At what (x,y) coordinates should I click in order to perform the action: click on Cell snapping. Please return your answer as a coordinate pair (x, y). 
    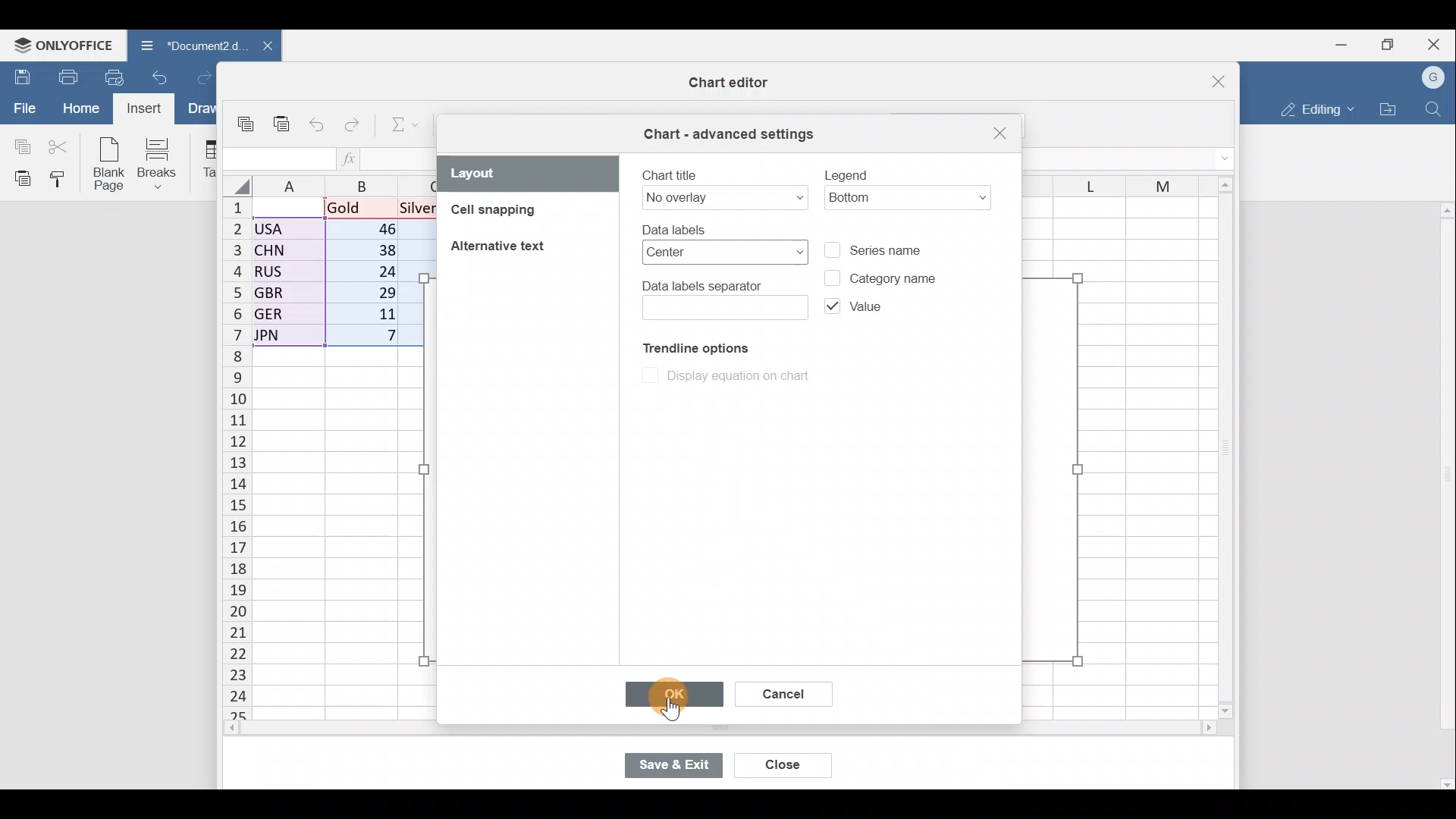
    Looking at the image, I should click on (515, 215).